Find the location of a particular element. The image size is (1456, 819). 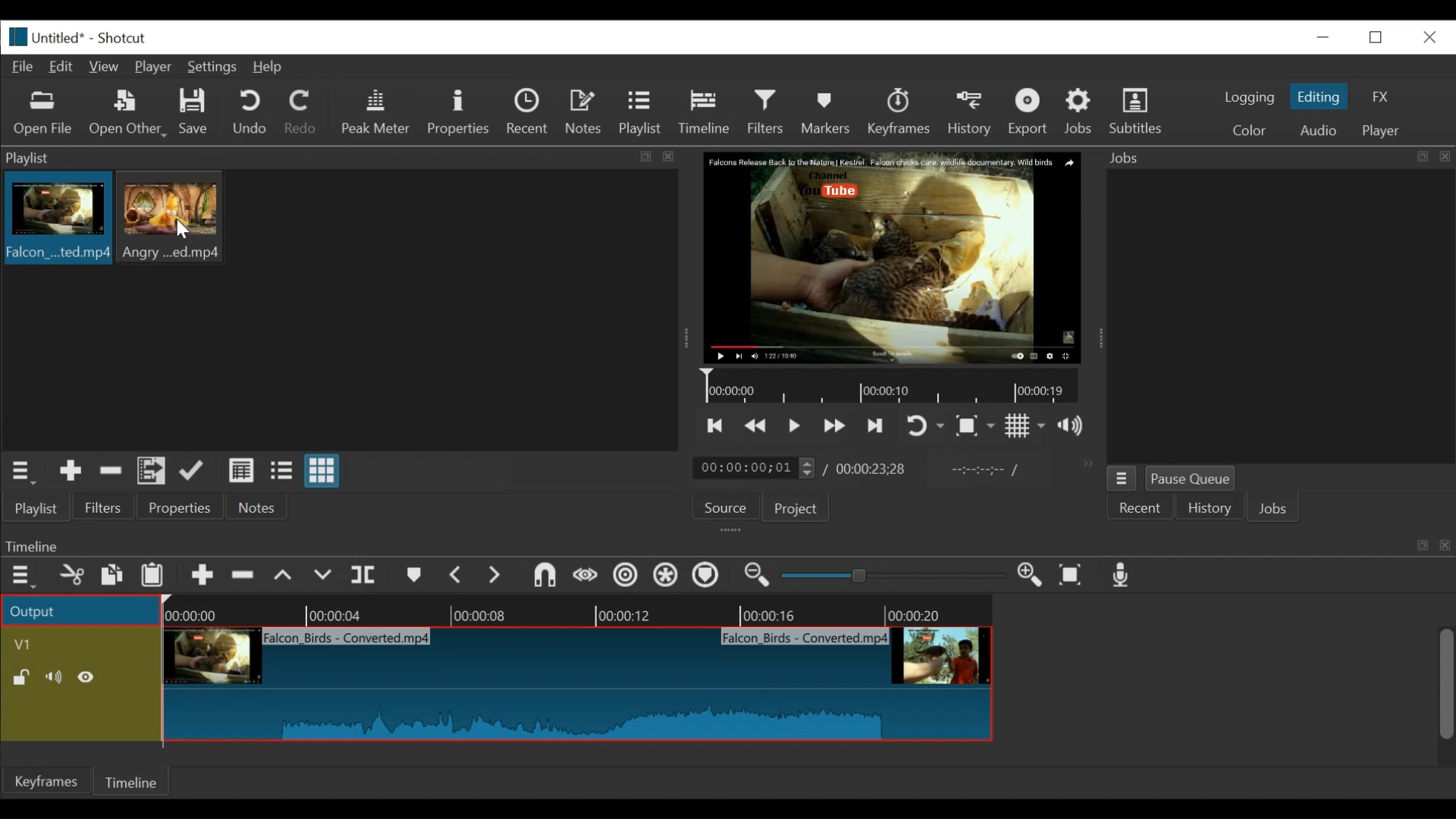

close is located at coordinates (1428, 36).